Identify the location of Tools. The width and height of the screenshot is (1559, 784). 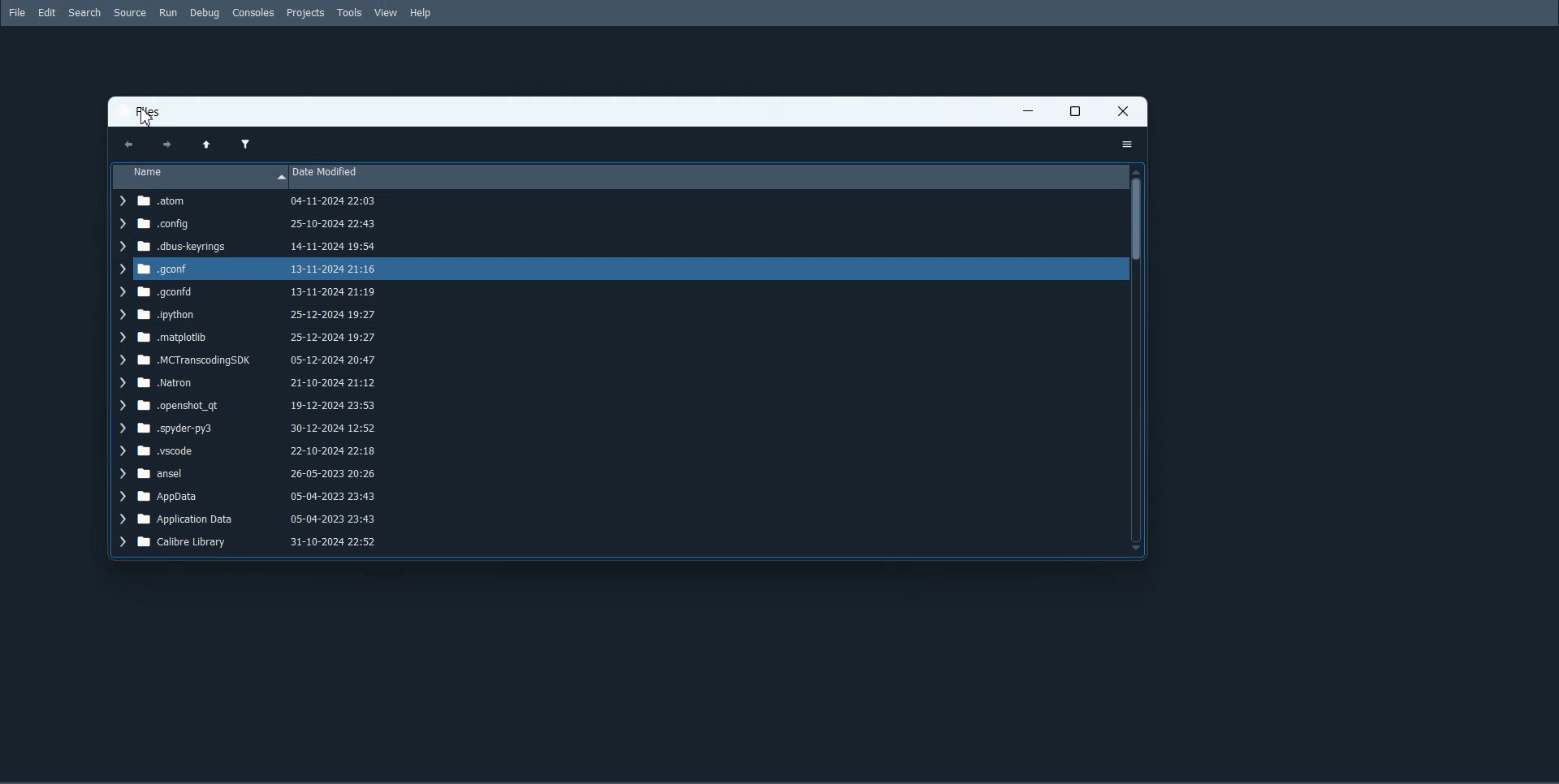
(349, 12).